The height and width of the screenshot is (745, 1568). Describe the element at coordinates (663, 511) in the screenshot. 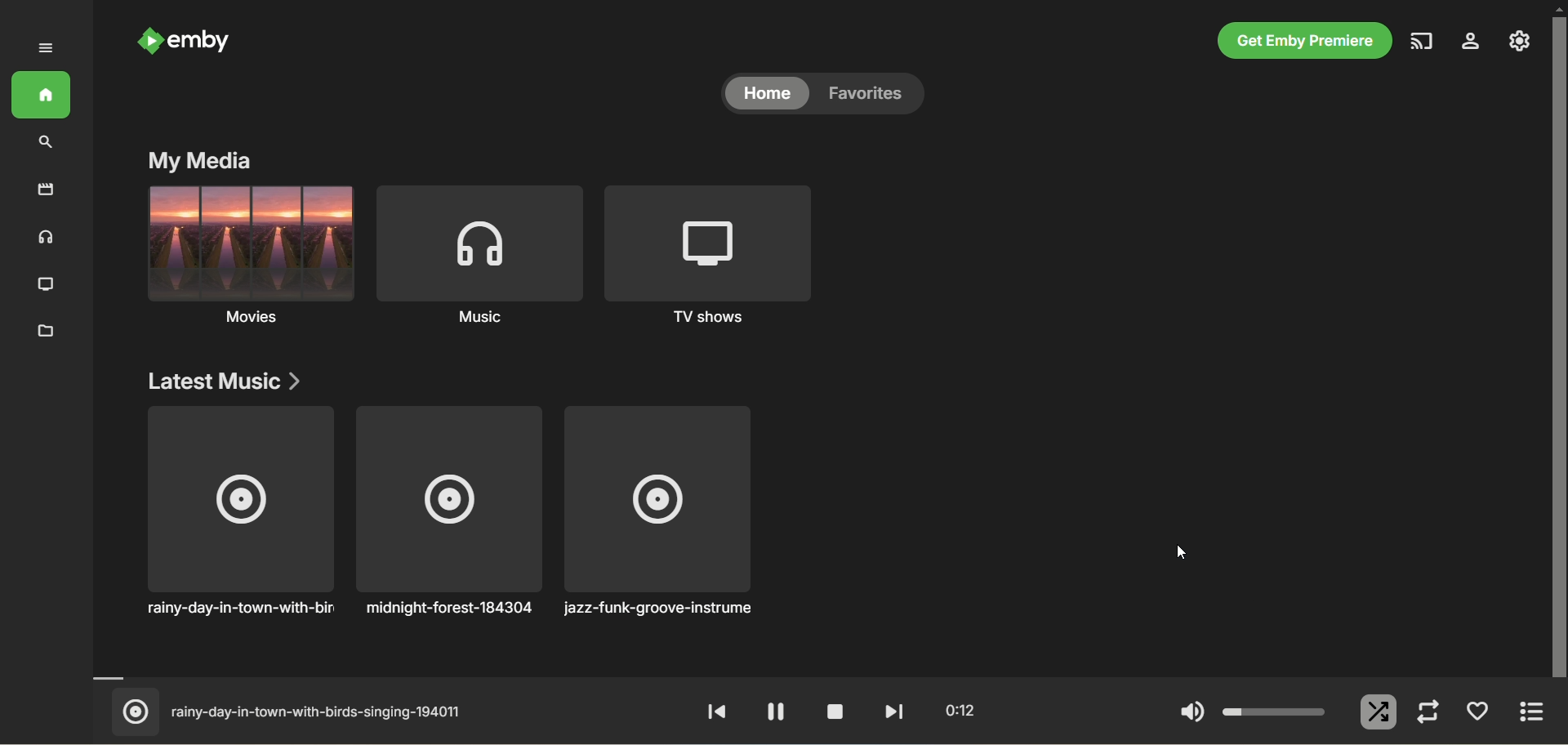

I see `jazz-funk-groove-instrument` at that location.